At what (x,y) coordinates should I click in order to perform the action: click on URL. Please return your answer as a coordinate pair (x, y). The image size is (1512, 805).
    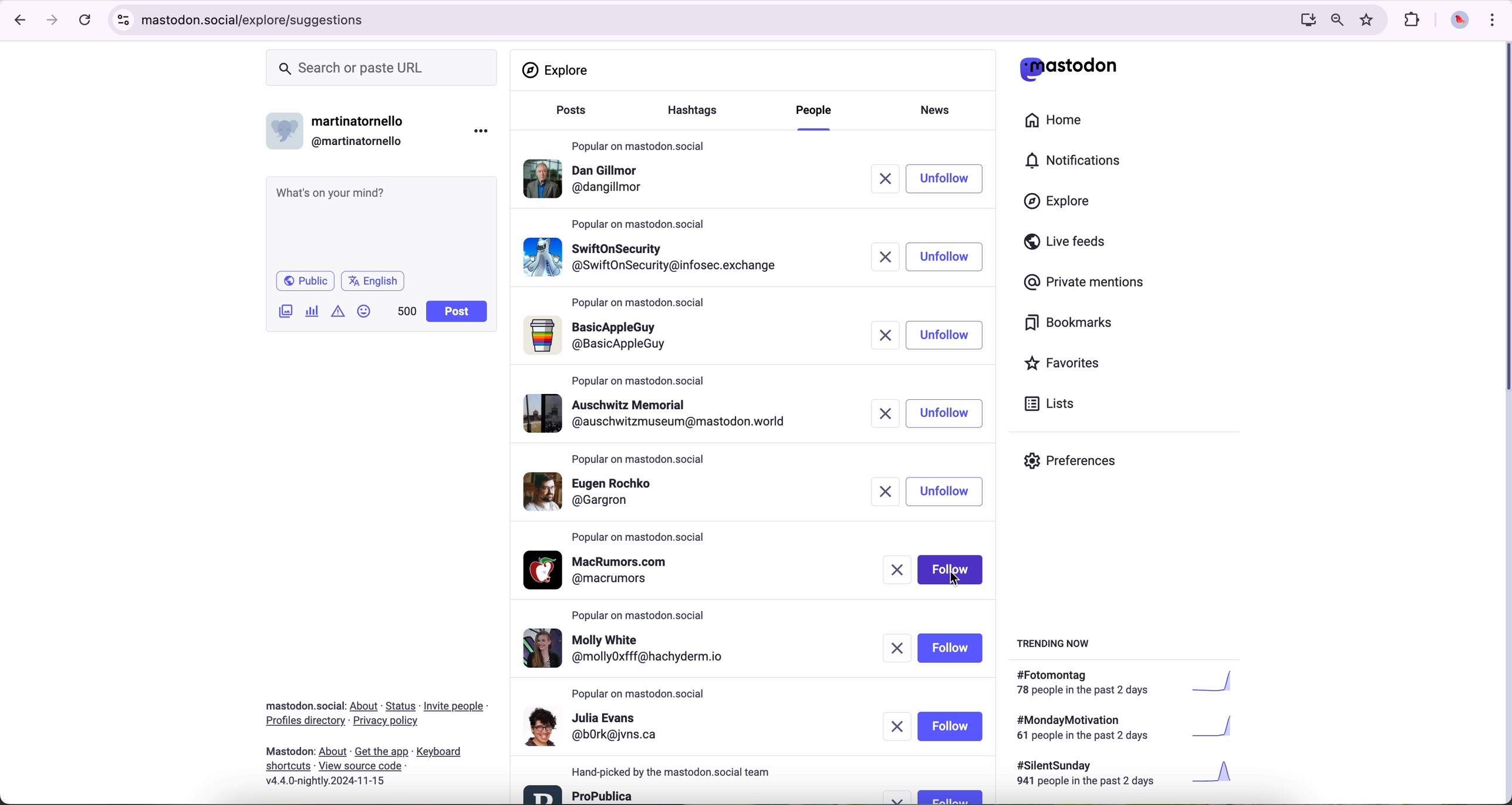
    Looking at the image, I should click on (258, 18).